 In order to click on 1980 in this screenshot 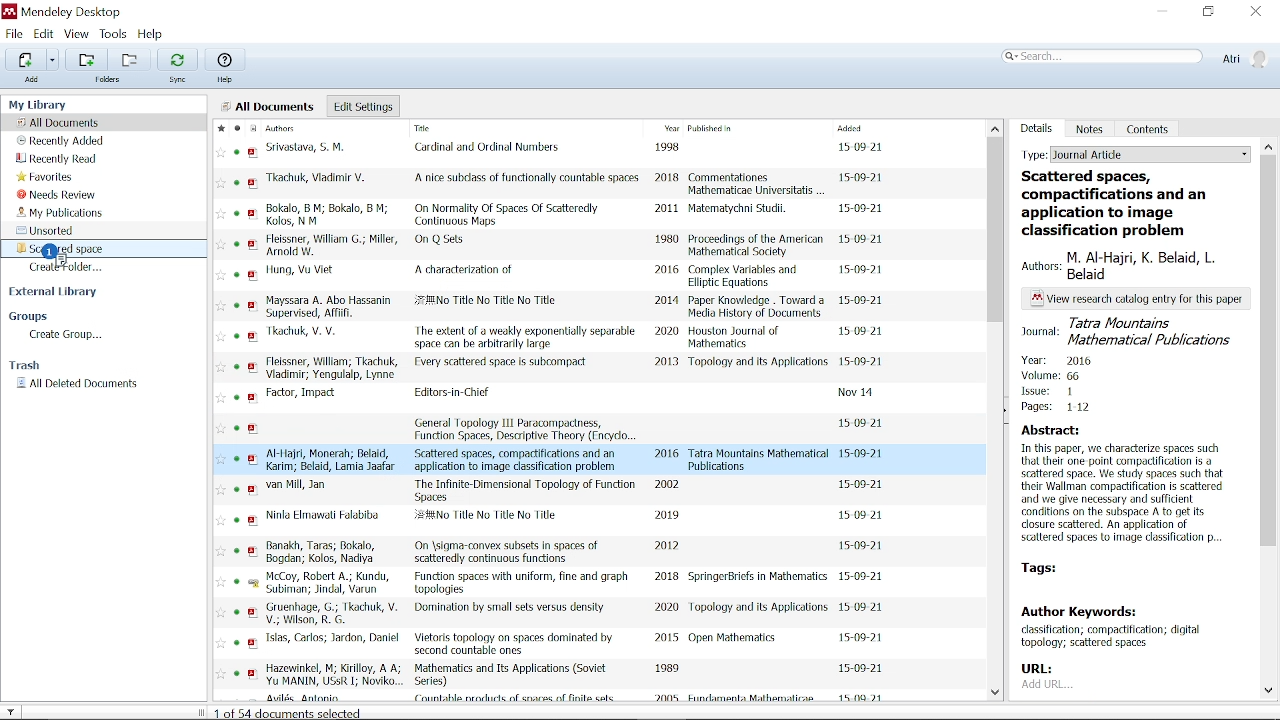, I will do `click(668, 240)`.